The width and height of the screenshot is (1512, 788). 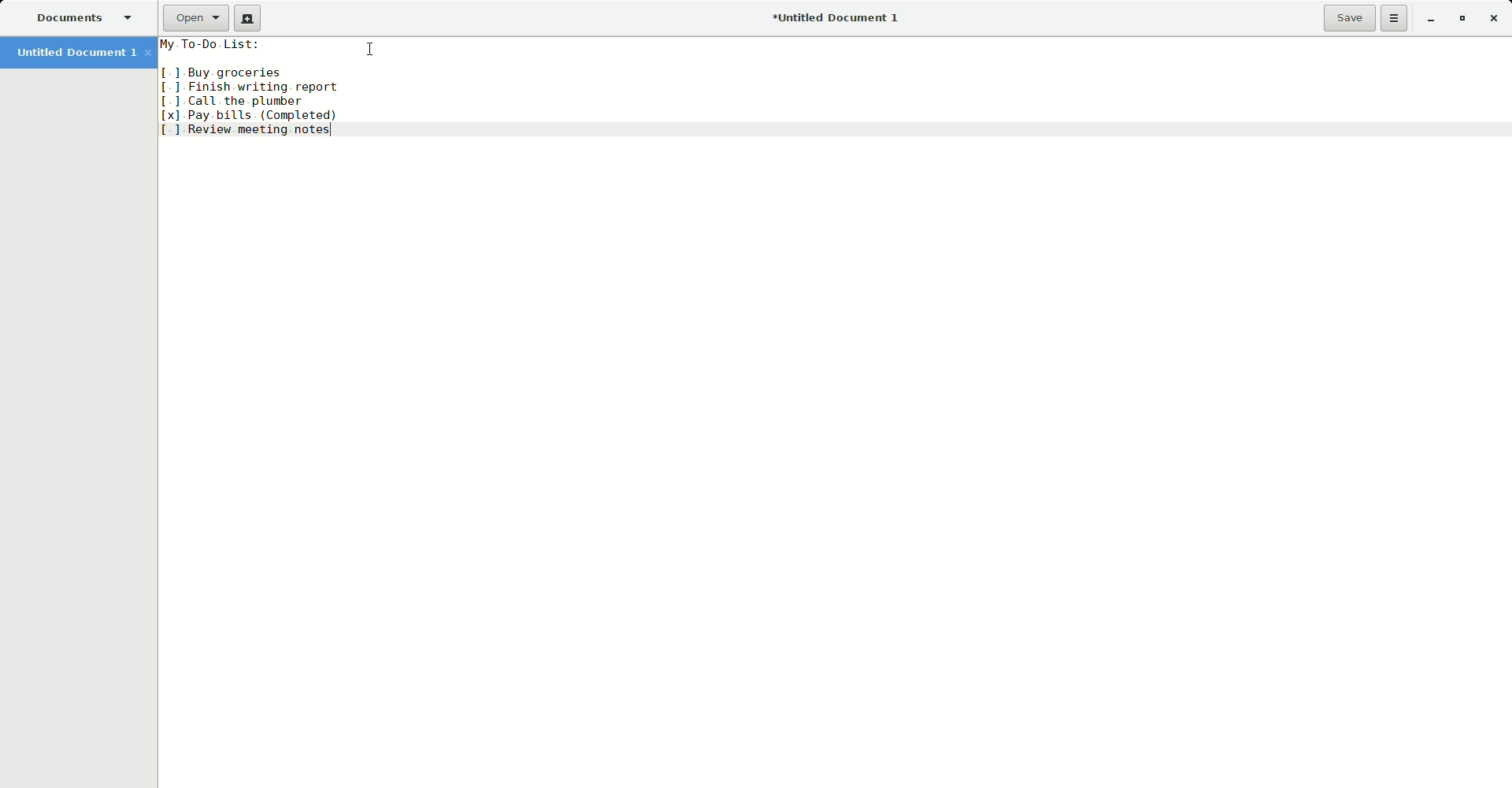 I want to click on Open, so click(x=194, y=18).